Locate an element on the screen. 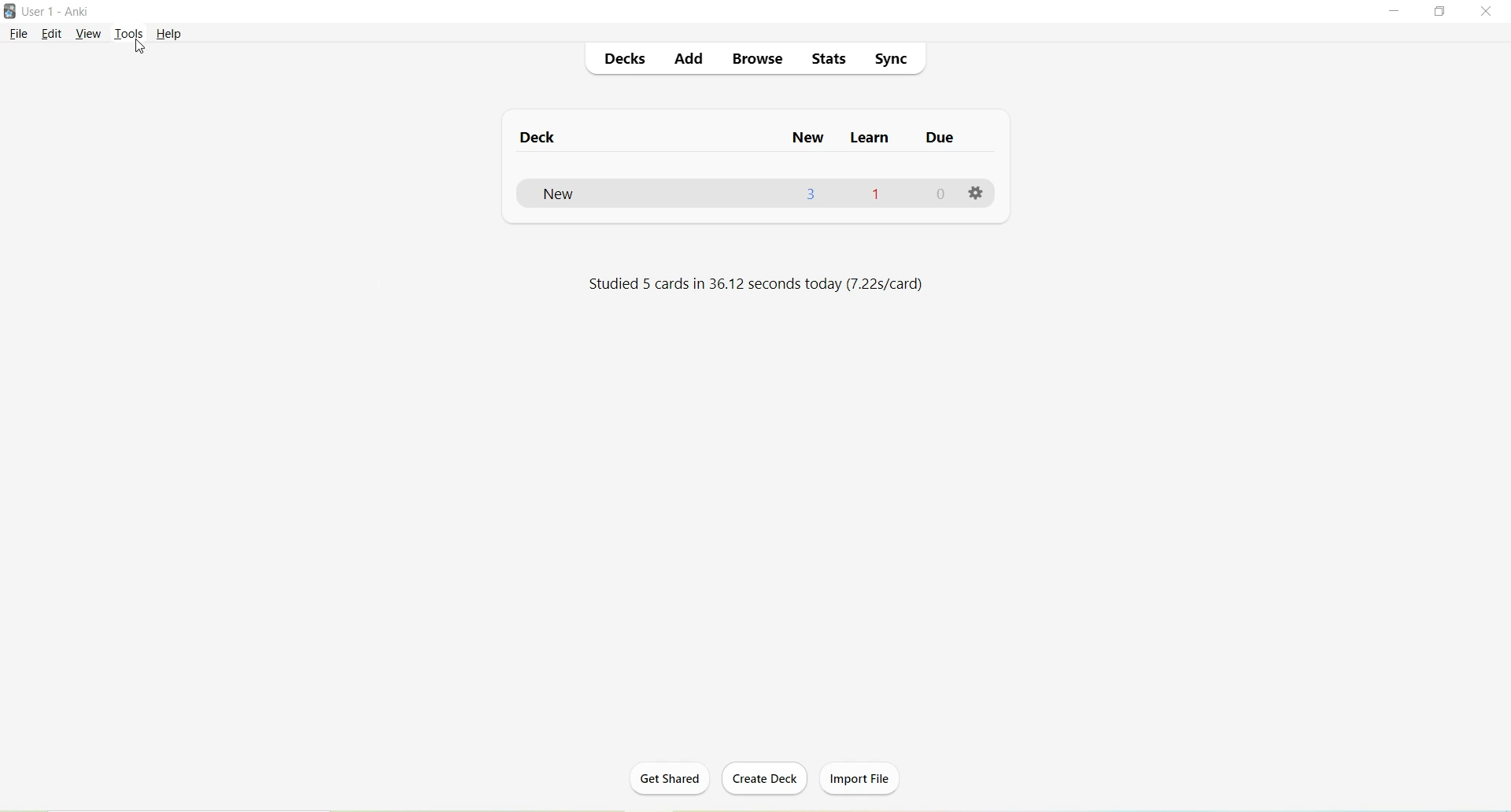 This screenshot has height=812, width=1511. Close is located at coordinates (1490, 12).